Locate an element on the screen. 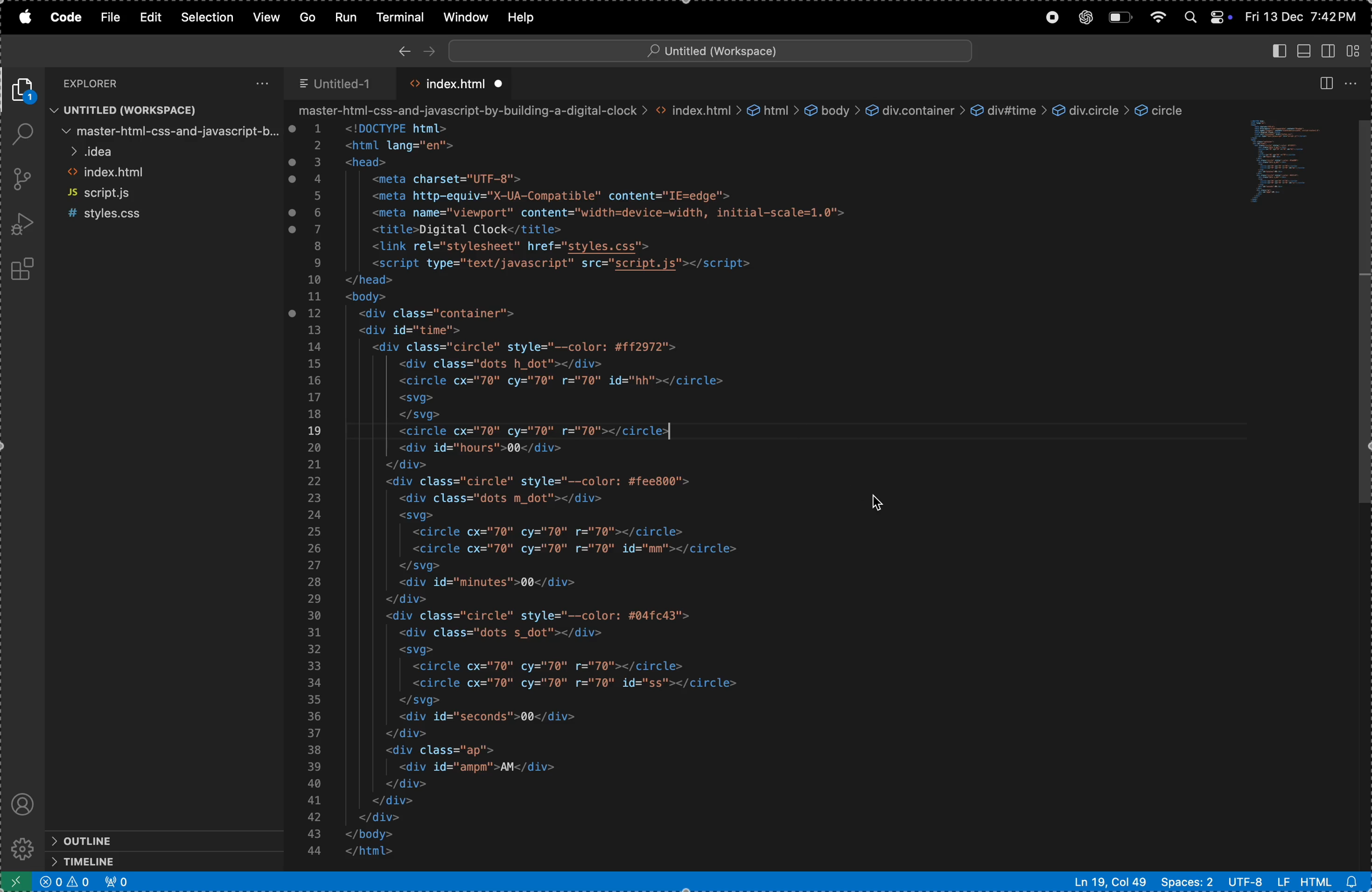 Image resolution: width=1372 pixels, height=892 pixels. cursor is located at coordinates (881, 505).